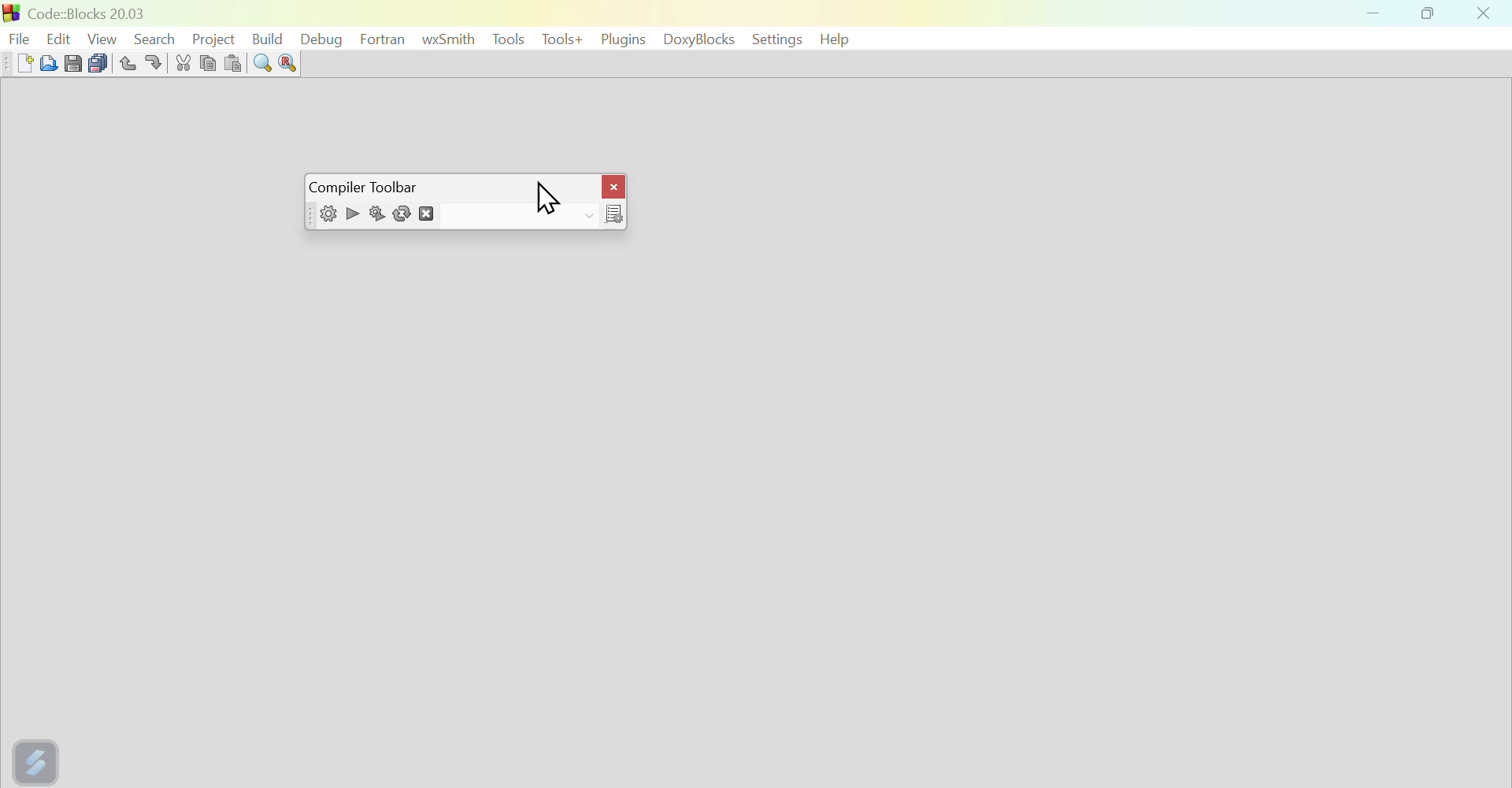  Describe the element at coordinates (1484, 14) in the screenshot. I see `Close` at that location.